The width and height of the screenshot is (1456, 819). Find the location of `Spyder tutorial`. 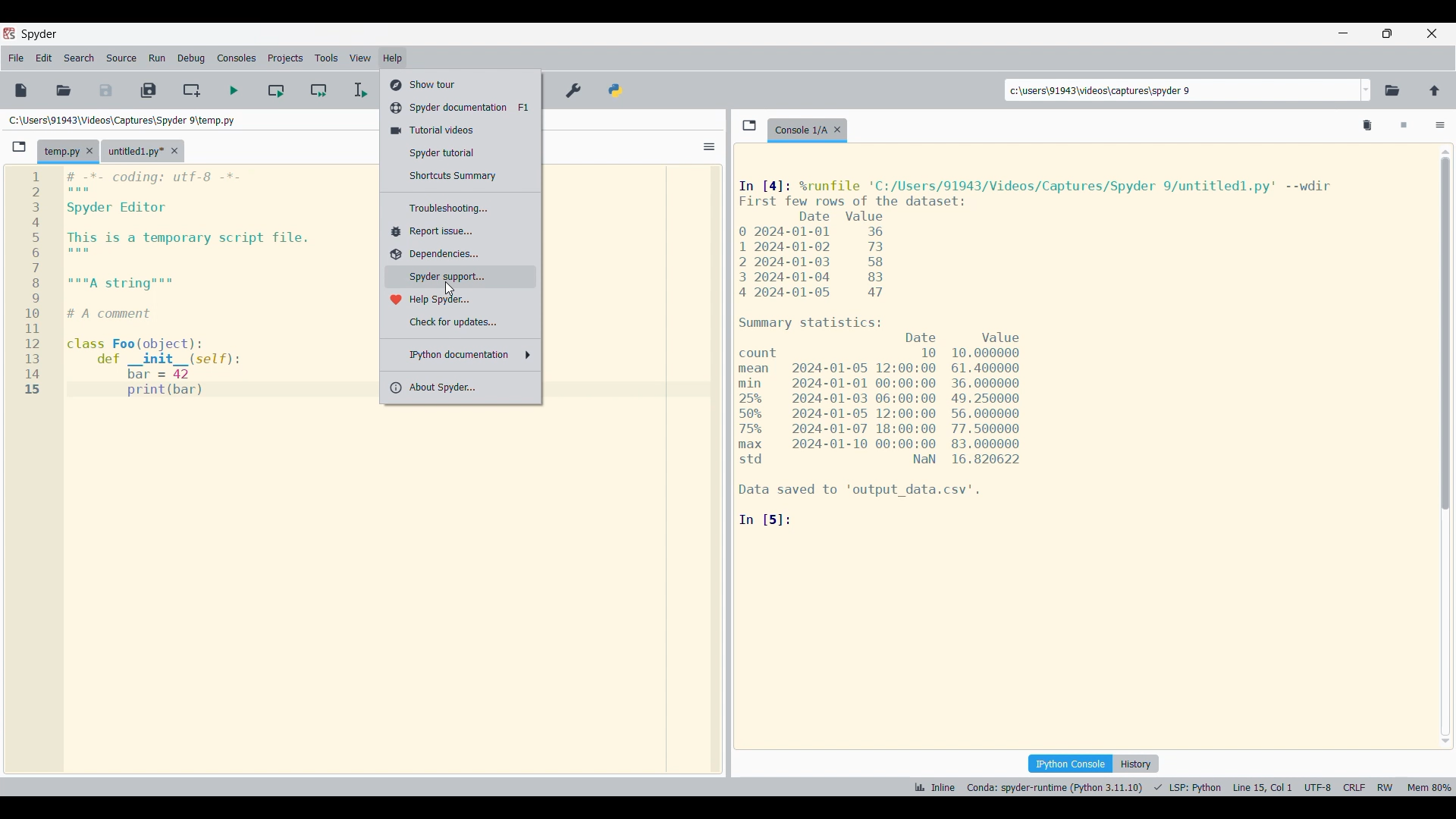

Spyder tutorial is located at coordinates (461, 153).